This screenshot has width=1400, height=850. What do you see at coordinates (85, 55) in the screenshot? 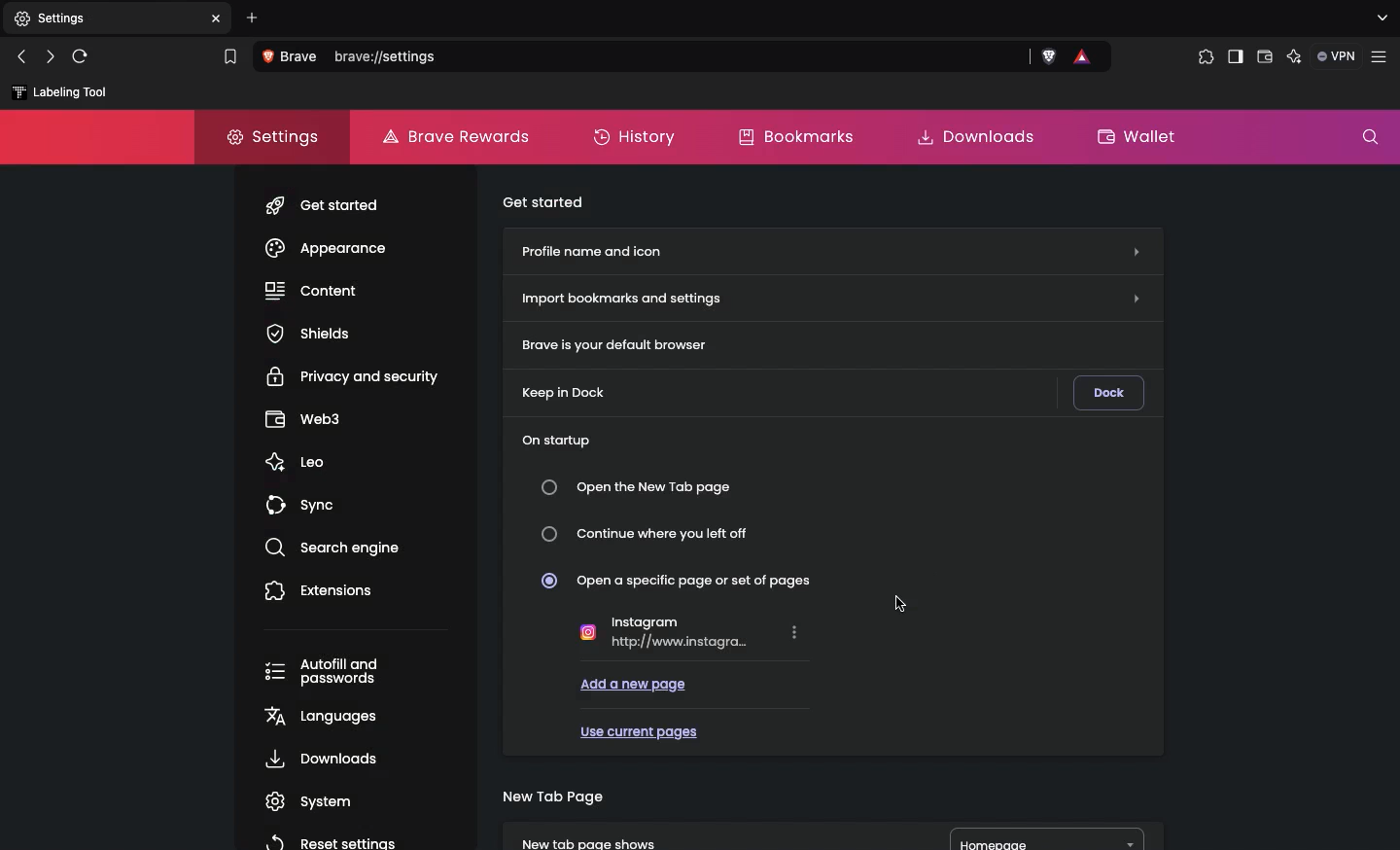
I see `Reload this page` at bounding box center [85, 55].